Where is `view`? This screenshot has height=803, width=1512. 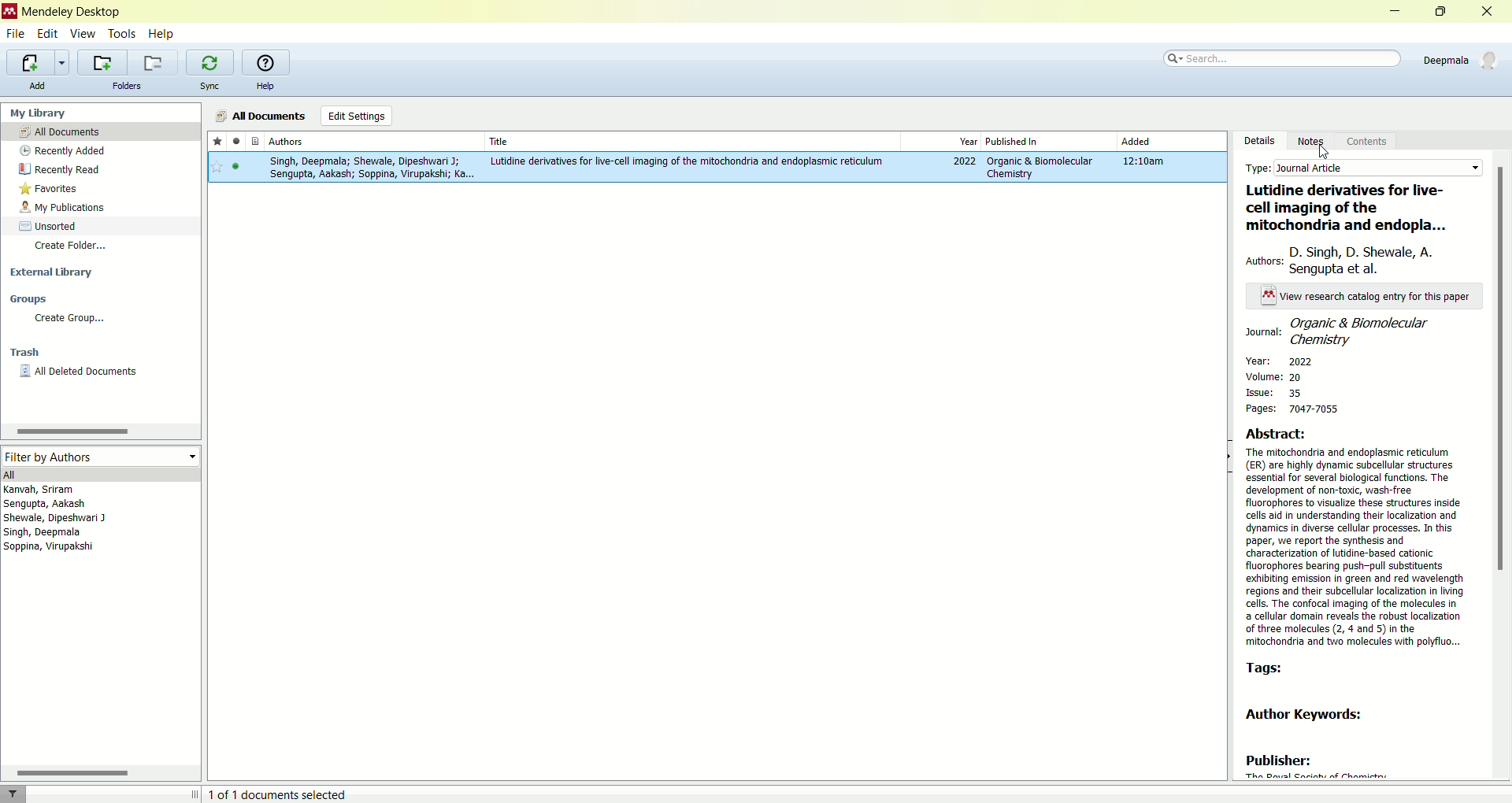 view is located at coordinates (84, 33).